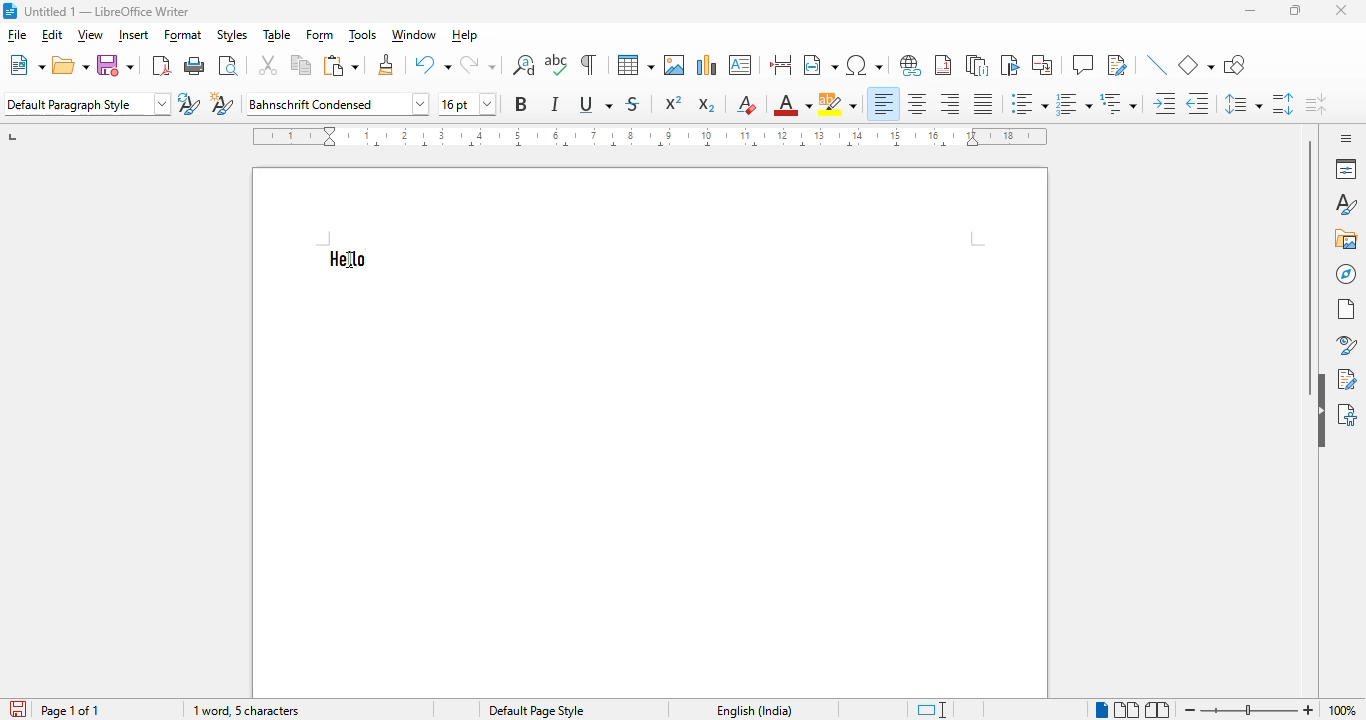 The width and height of the screenshot is (1366, 720). What do you see at coordinates (1346, 168) in the screenshot?
I see `properties` at bounding box center [1346, 168].